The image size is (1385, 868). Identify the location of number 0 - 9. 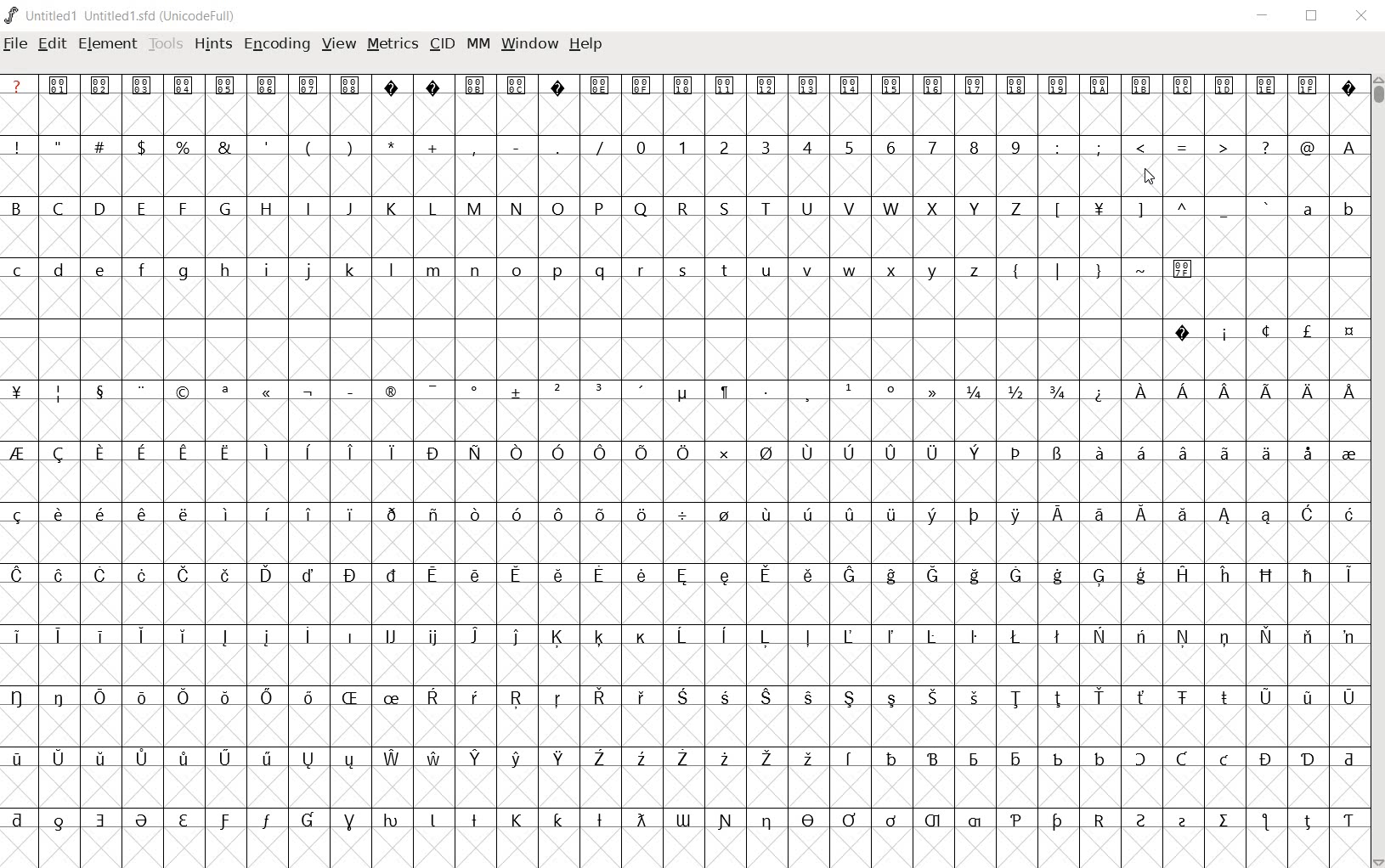
(828, 147).